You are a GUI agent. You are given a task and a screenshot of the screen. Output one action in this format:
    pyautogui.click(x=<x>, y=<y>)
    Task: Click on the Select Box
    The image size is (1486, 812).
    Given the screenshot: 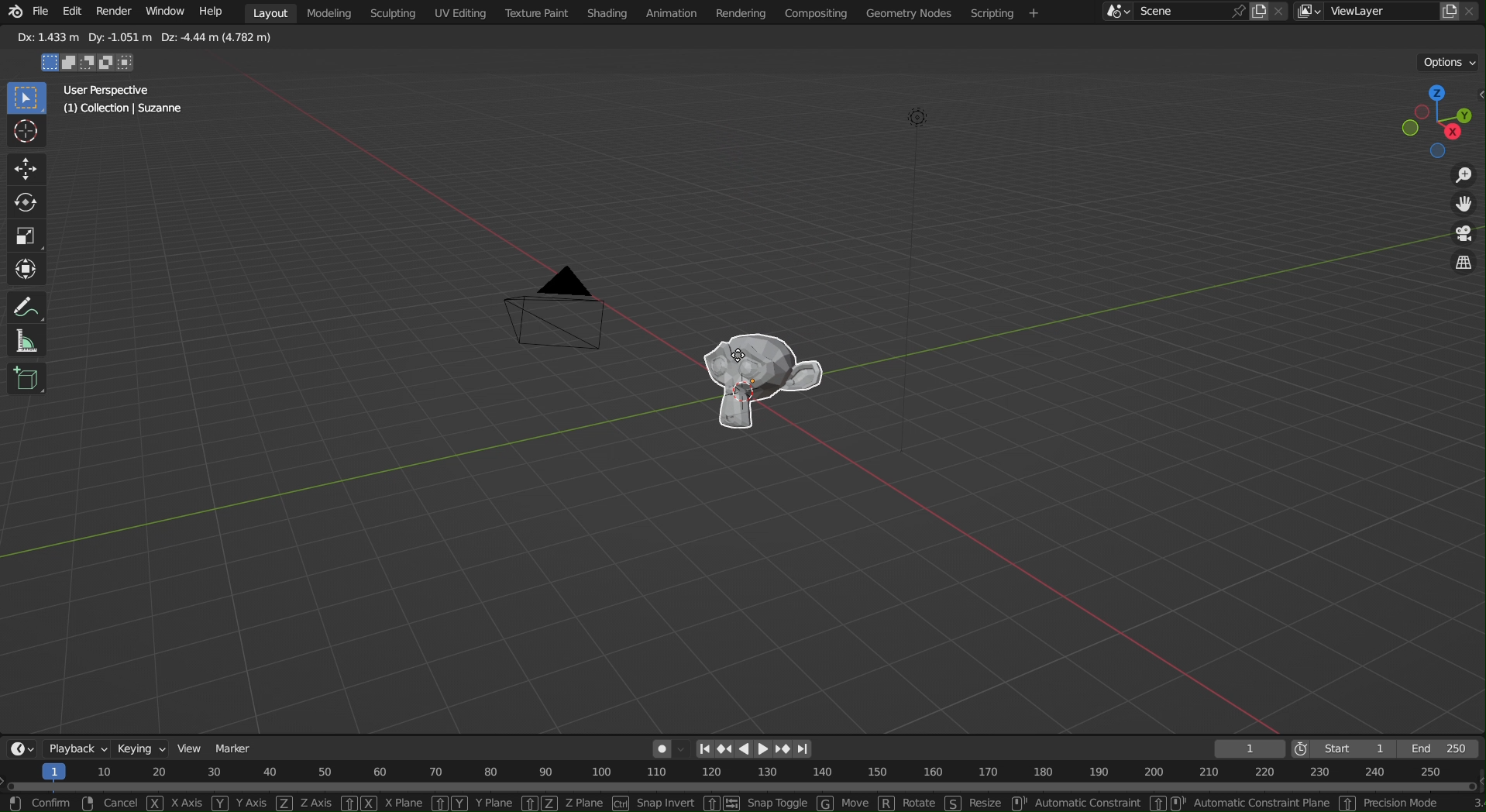 What is the action you would take?
    pyautogui.click(x=26, y=97)
    